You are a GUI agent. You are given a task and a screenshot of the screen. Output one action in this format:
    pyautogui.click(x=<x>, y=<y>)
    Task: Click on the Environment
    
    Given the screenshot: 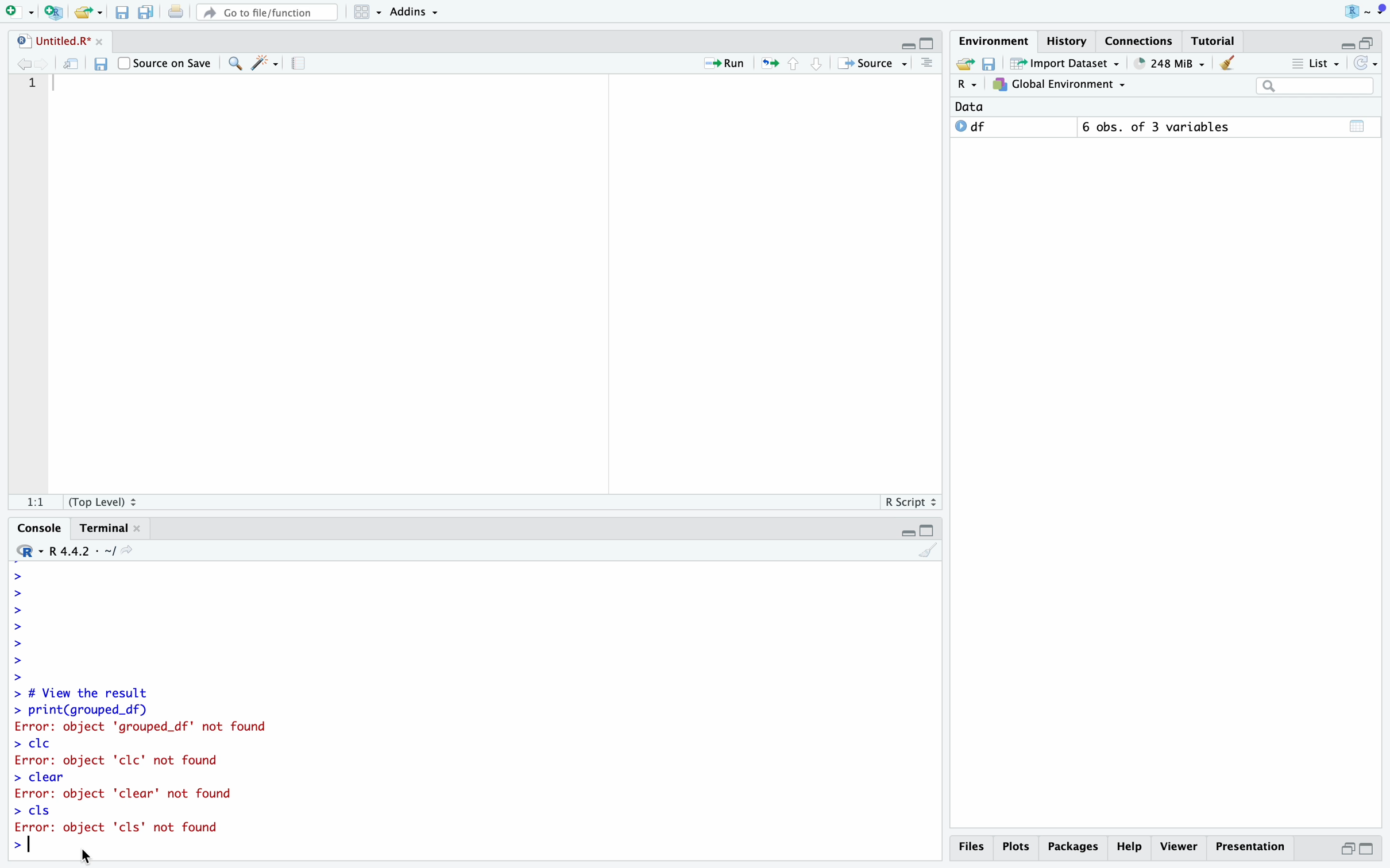 What is the action you would take?
    pyautogui.click(x=994, y=40)
    